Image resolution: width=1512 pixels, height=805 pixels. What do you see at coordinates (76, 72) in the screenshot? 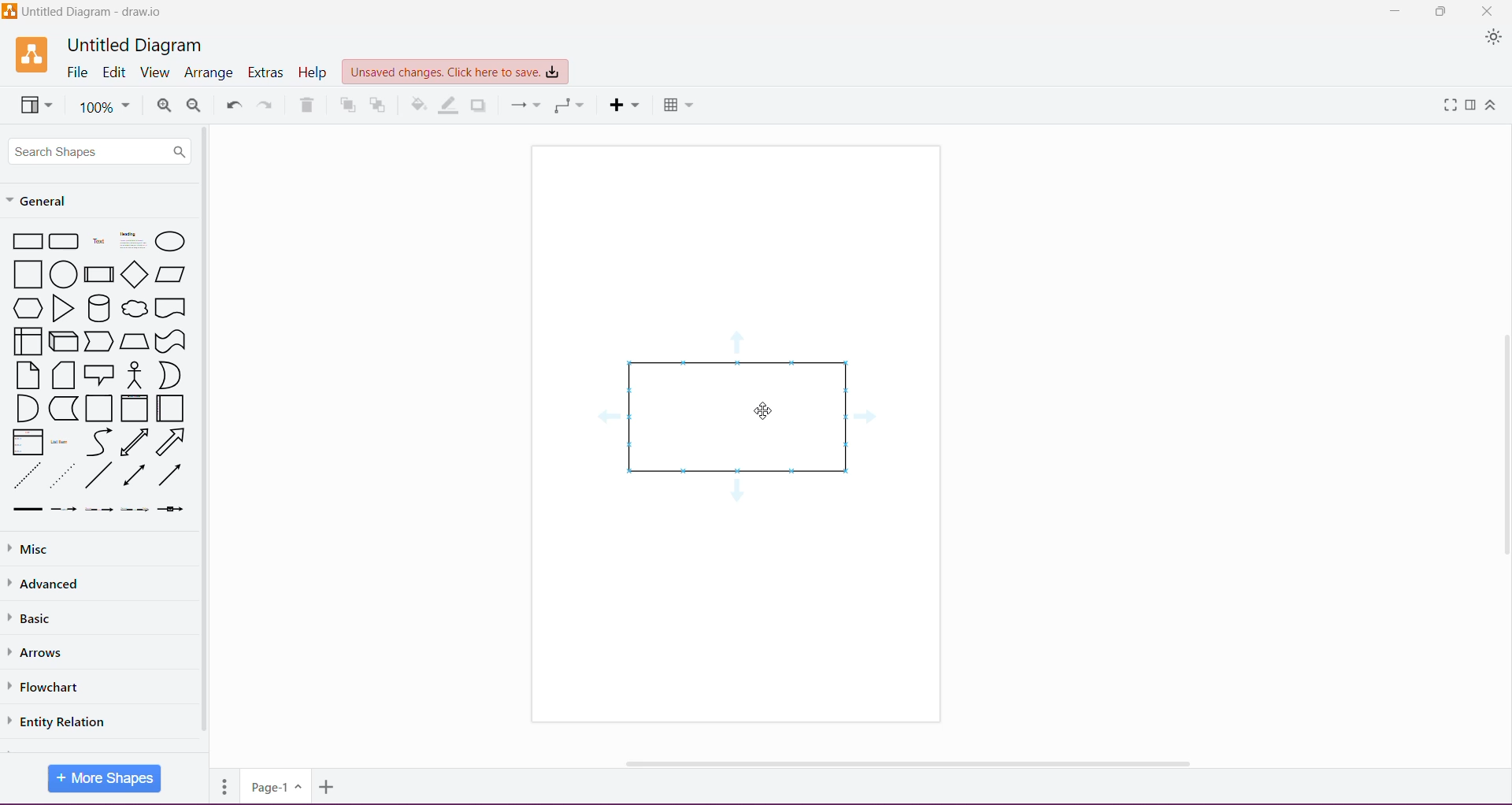
I see `File` at bounding box center [76, 72].